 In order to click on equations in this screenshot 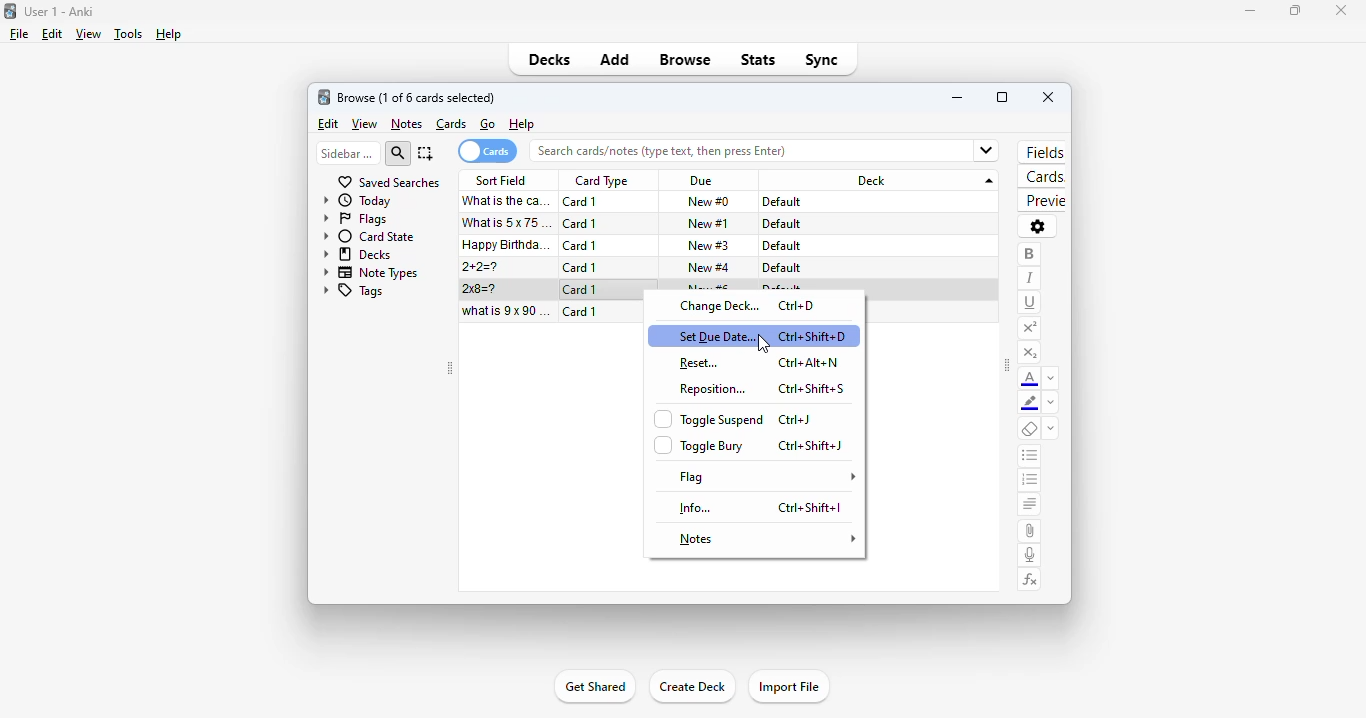, I will do `click(1031, 580)`.